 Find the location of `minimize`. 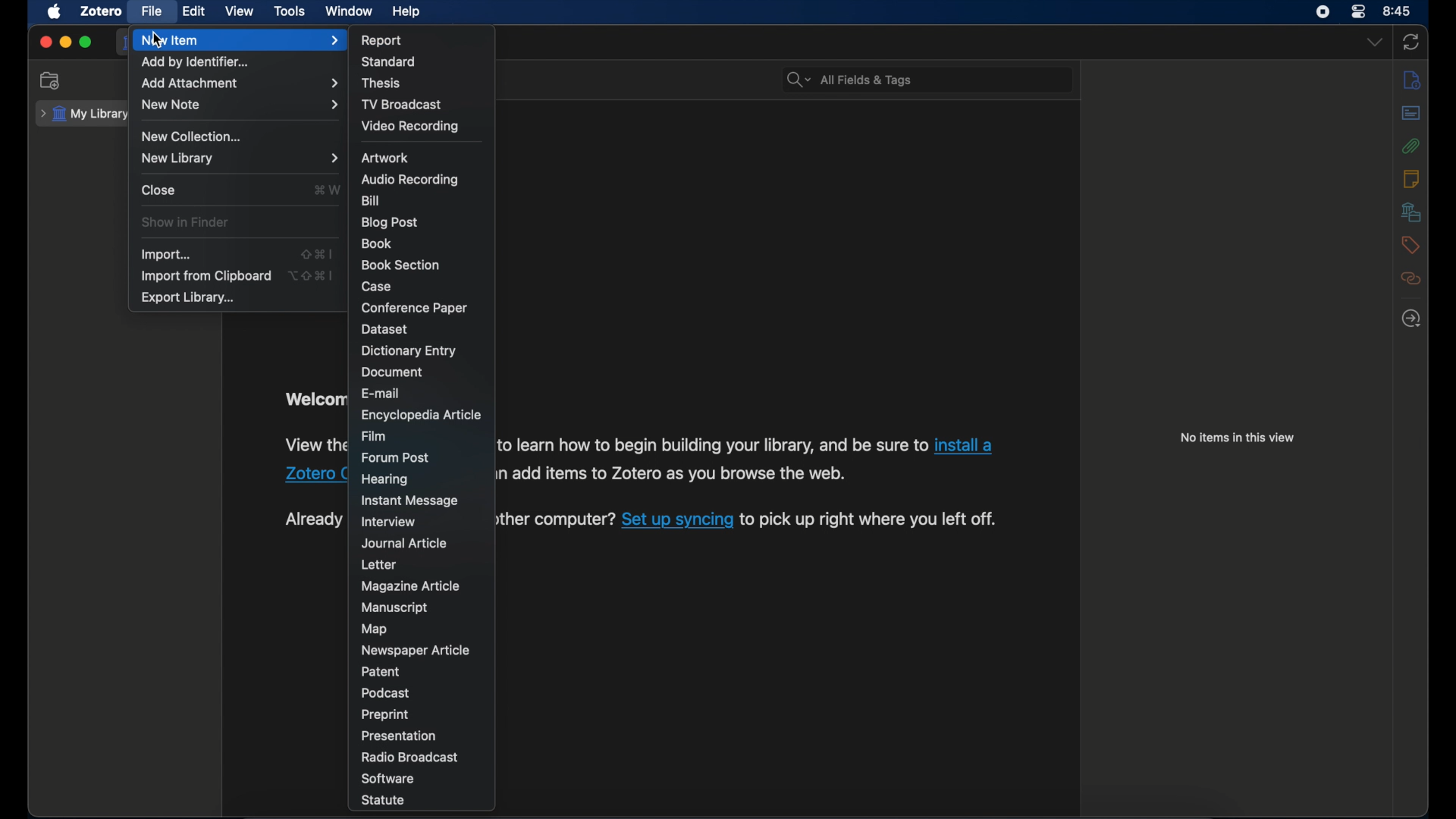

minimize is located at coordinates (65, 42).